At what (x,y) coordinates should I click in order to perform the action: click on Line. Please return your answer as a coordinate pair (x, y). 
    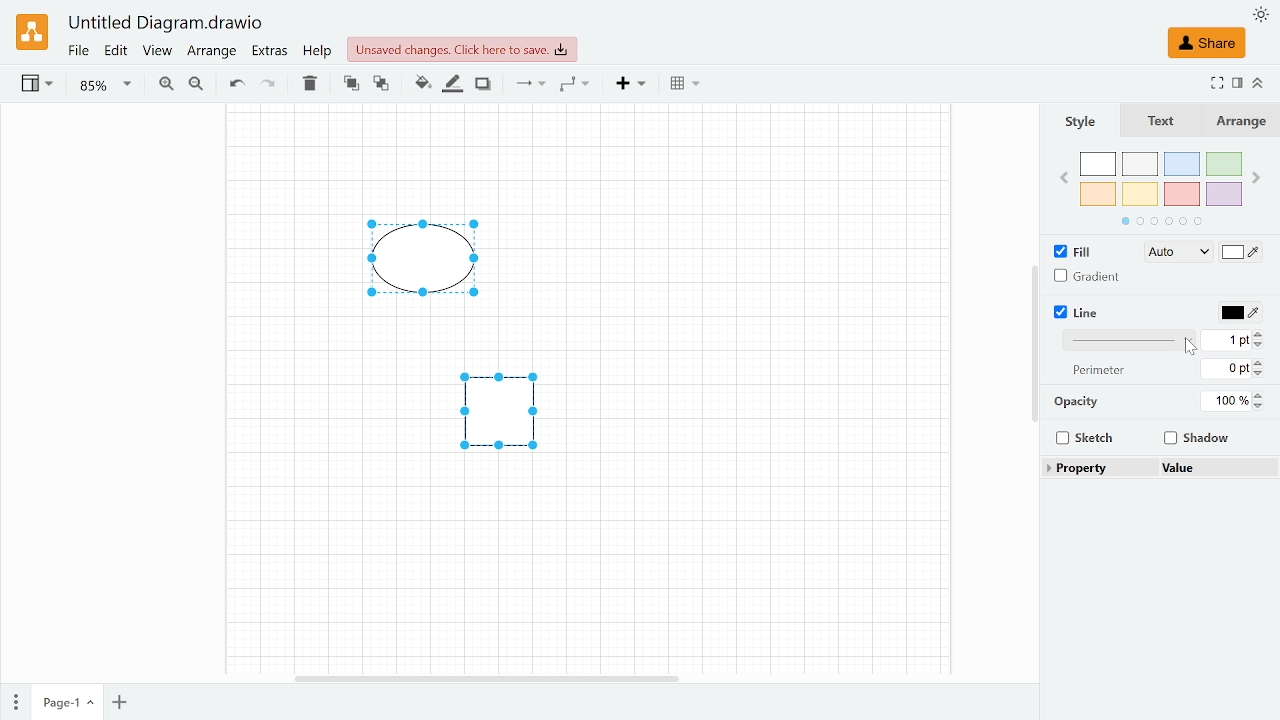
    Looking at the image, I should click on (1075, 313).